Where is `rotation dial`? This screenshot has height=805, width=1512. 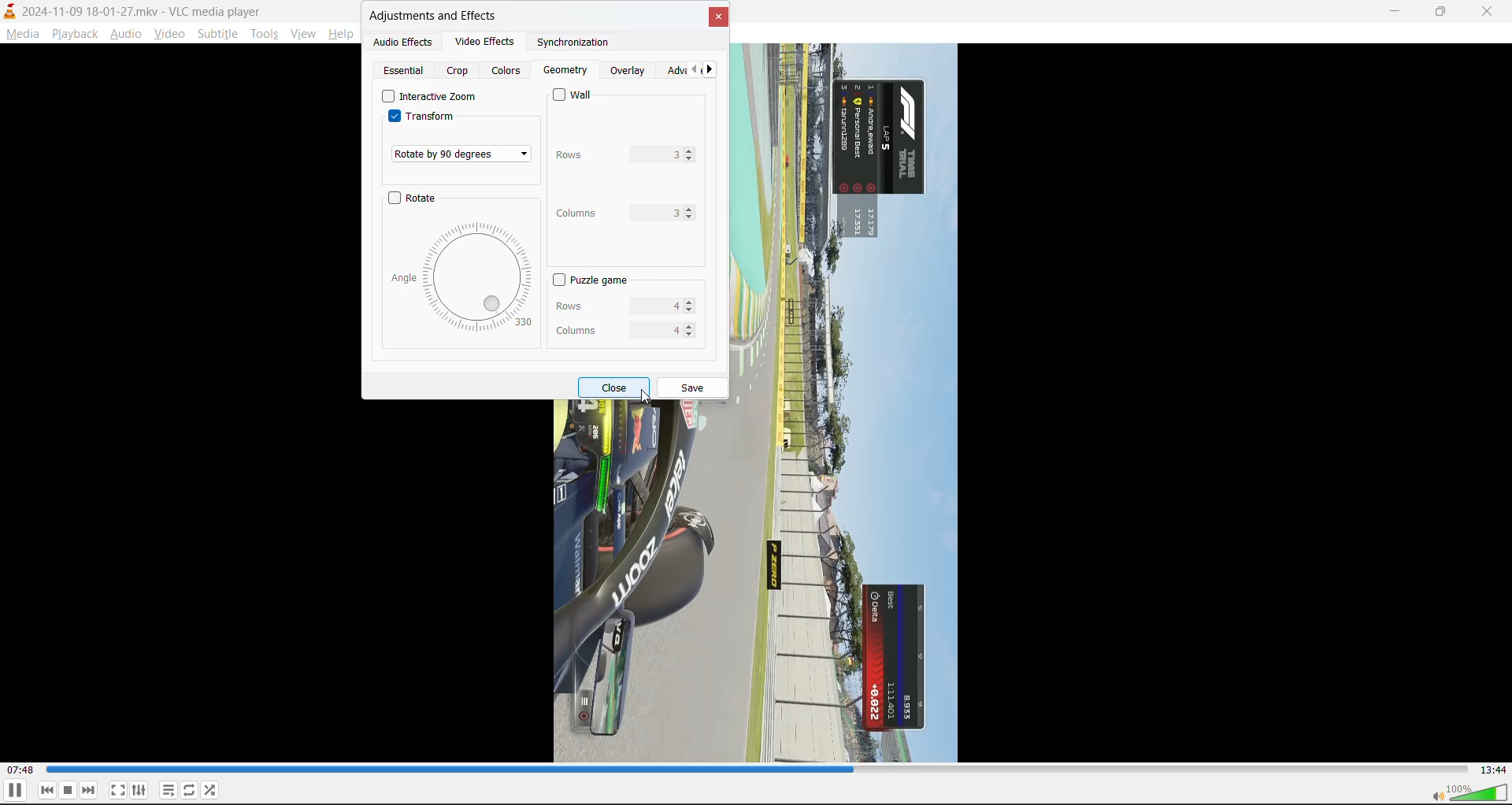
rotation dial is located at coordinates (465, 277).